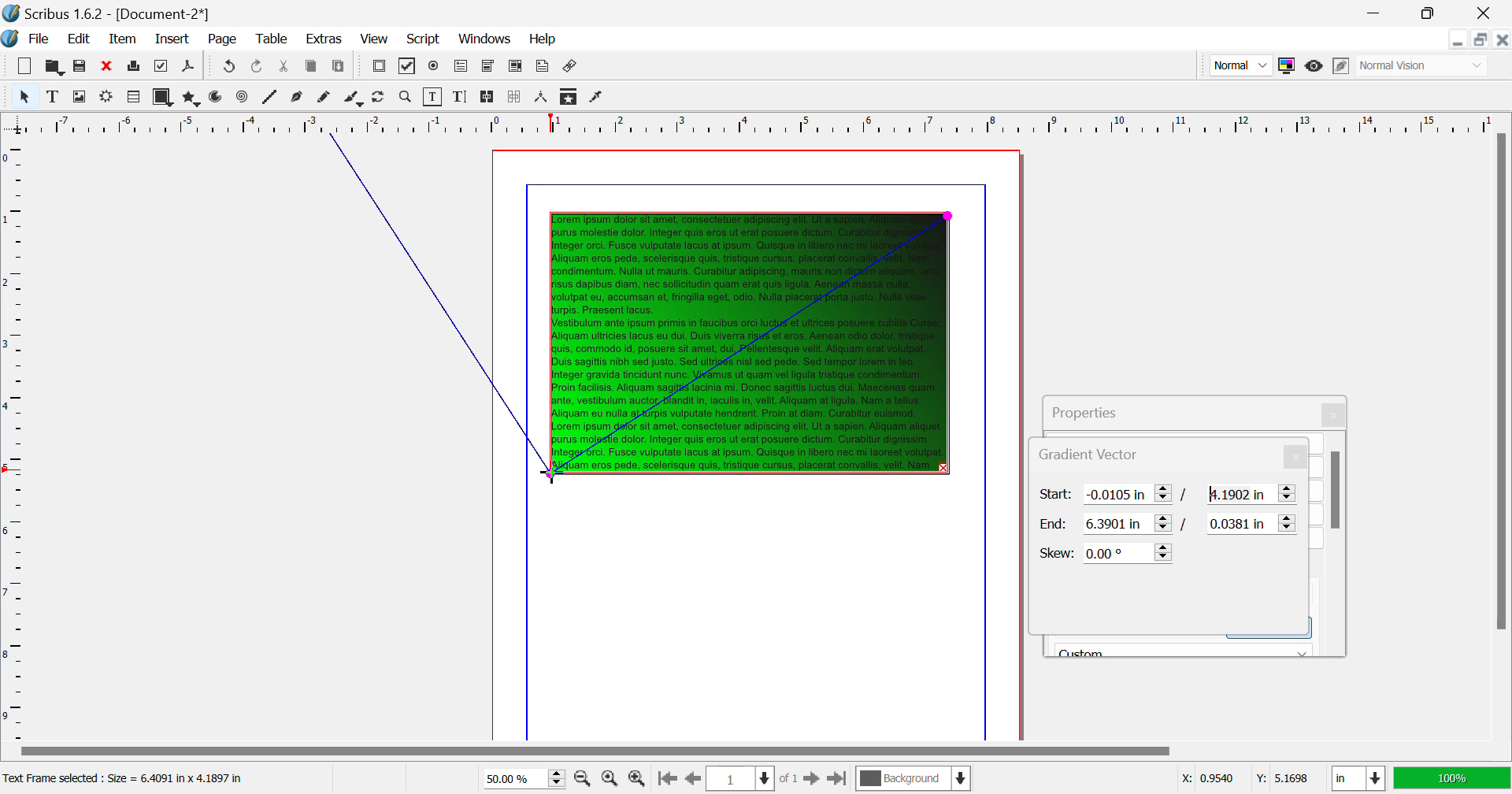 The height and width of the screenshot is (794, 1512). Describe the element at coordinates (28, 39) in the screenshot. I see `File` at that location.